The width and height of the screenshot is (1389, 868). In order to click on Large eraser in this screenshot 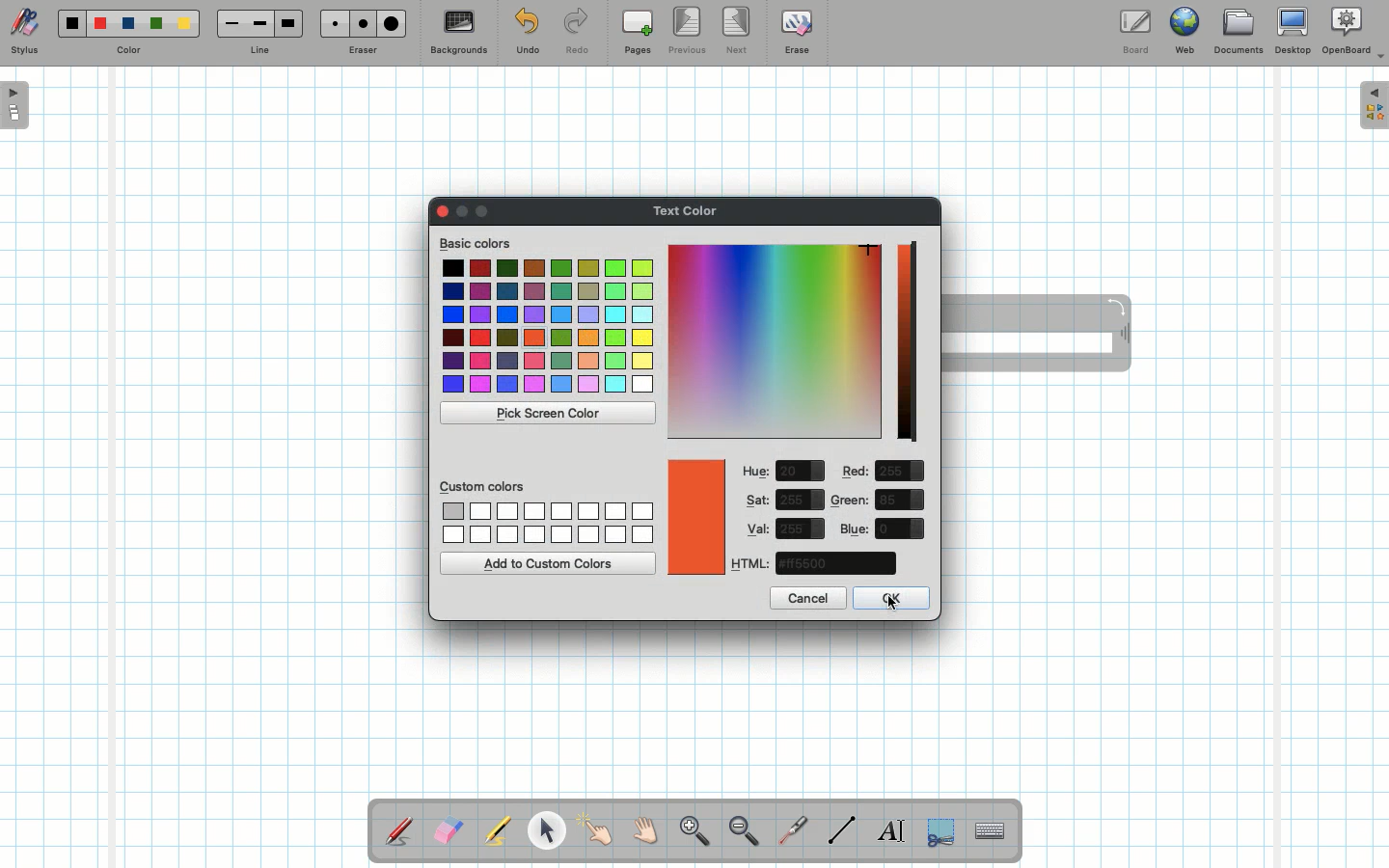, I will do `click(392, 23)`.